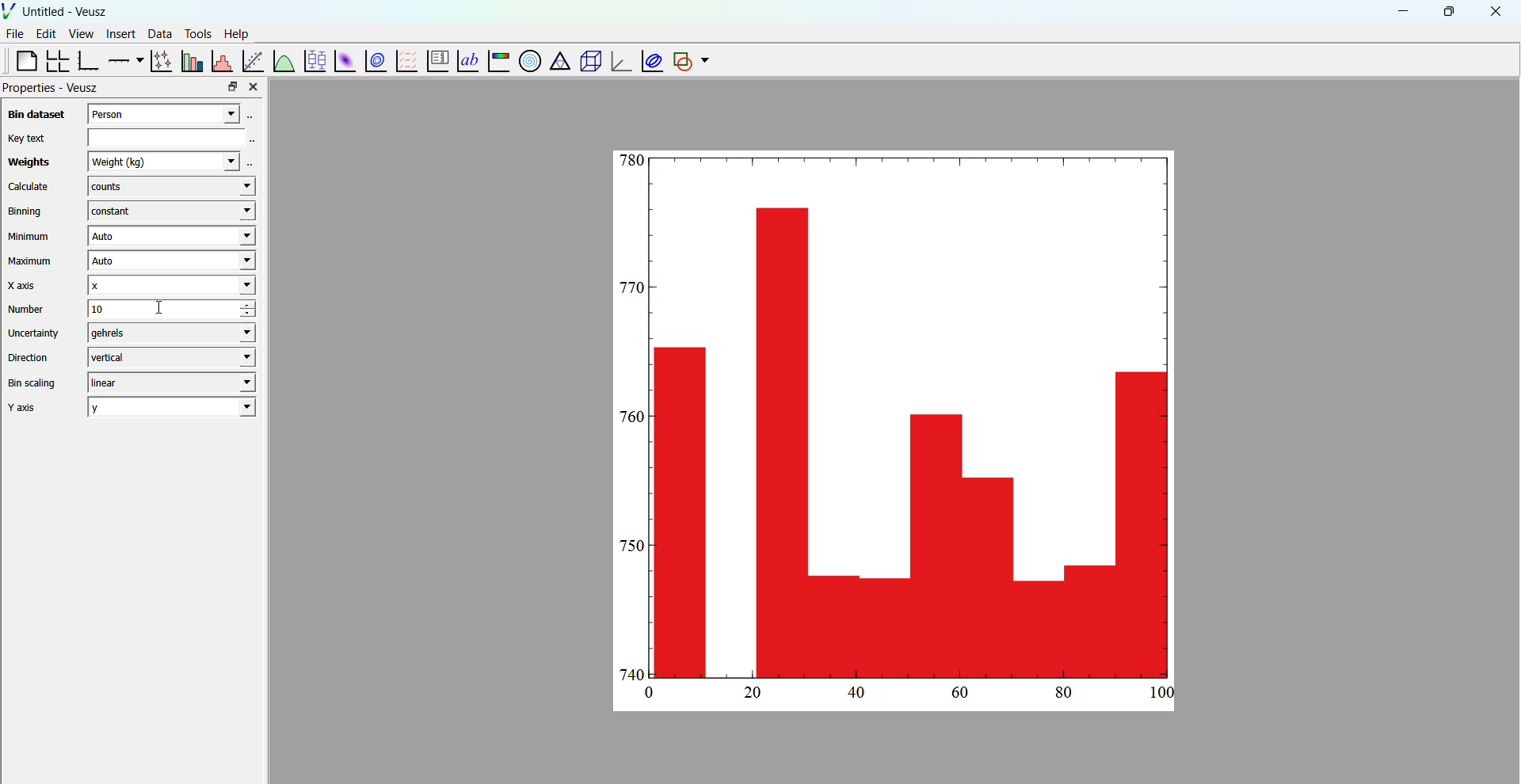 This screenshot has width=1521, height=784. Describe the element at coordinates (376, 62) in the screenshot. I see `plot 2d datasets as contour` at that location.